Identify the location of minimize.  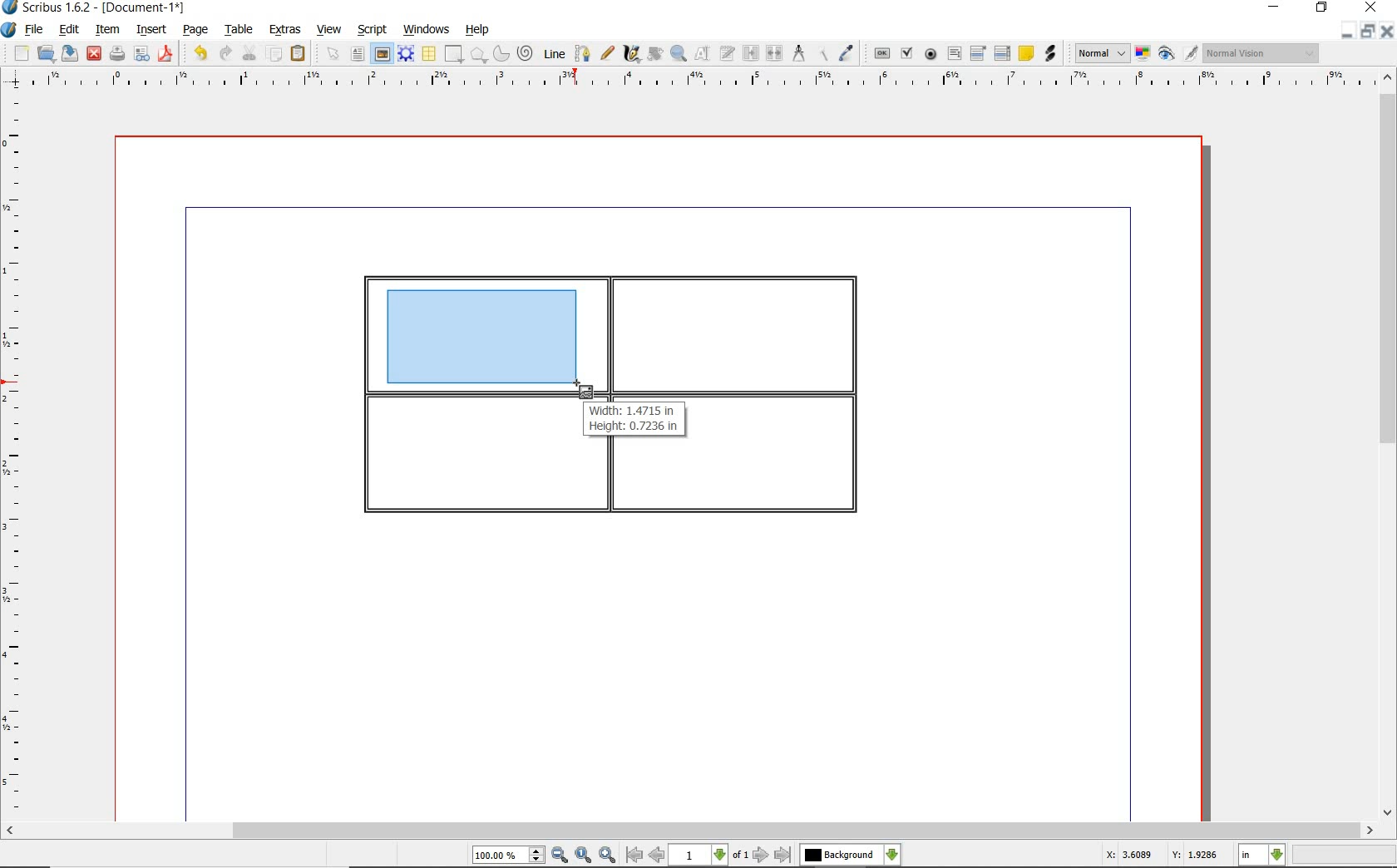
(1345, 32).